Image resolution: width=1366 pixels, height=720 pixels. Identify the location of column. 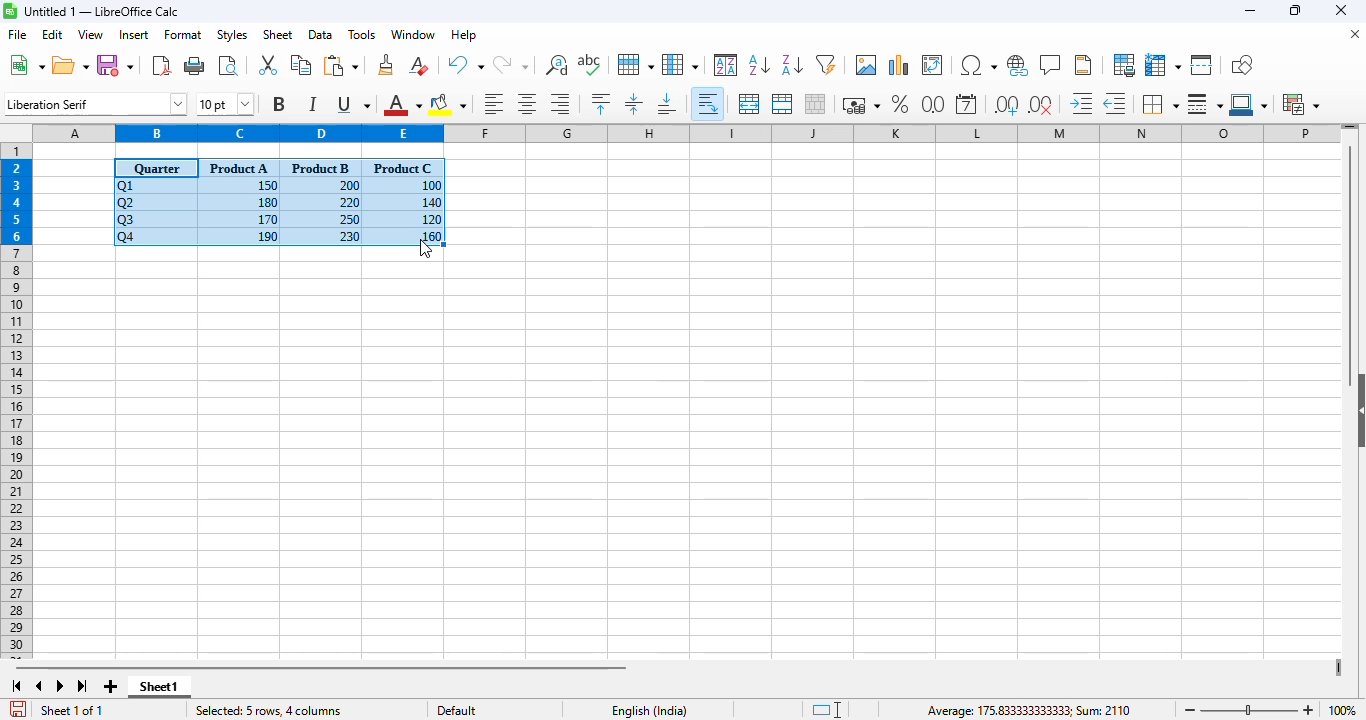
(680, 64).